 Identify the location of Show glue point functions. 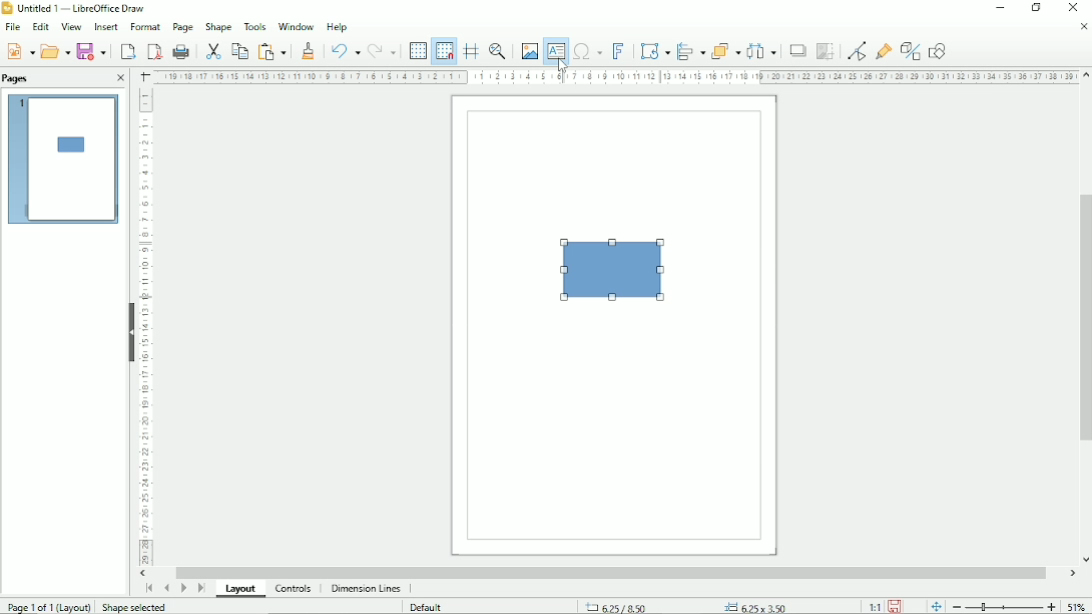
(885, 48).